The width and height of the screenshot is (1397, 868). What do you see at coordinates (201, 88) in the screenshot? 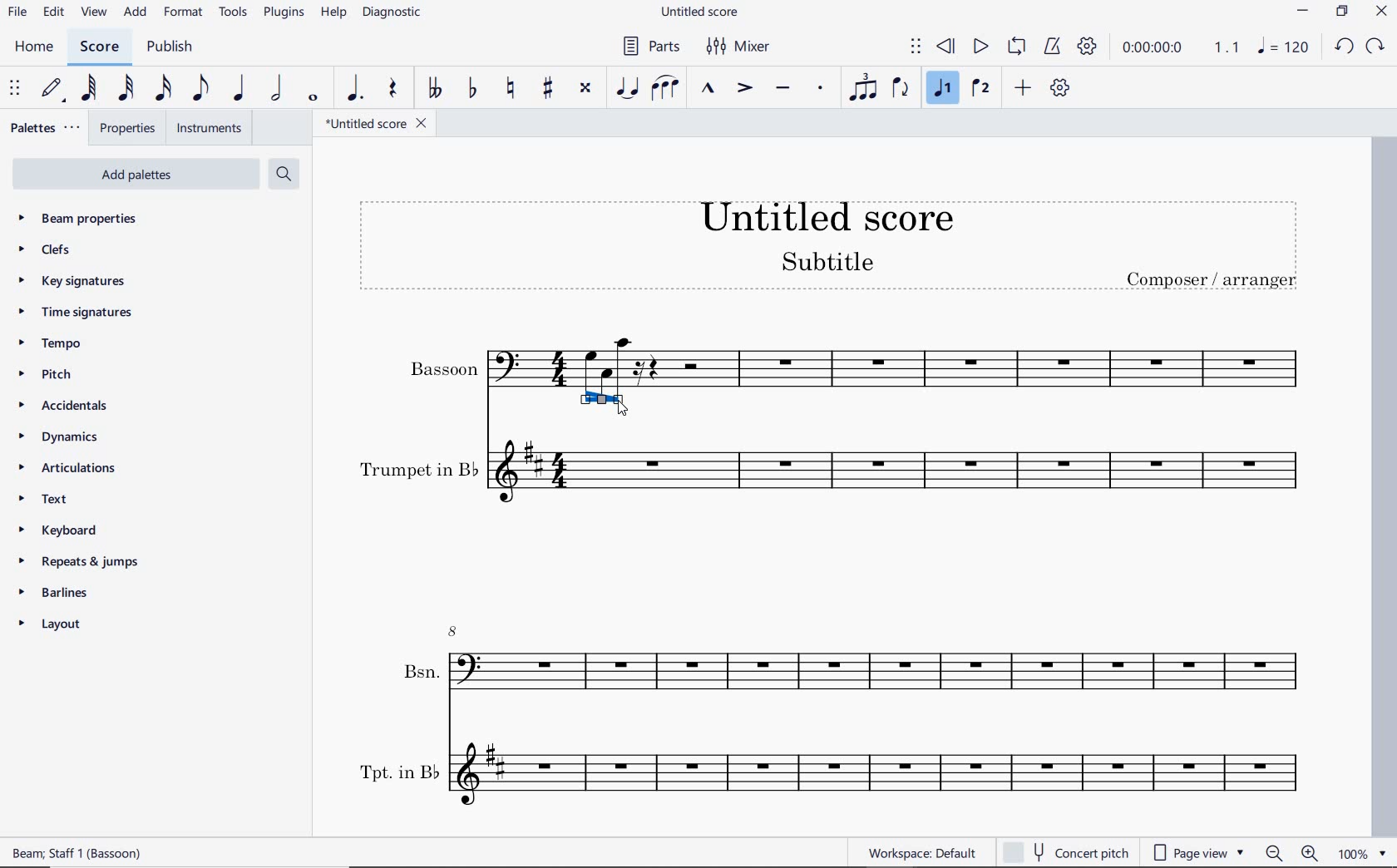
I see `eighth note` at bounding box center [201, 88].